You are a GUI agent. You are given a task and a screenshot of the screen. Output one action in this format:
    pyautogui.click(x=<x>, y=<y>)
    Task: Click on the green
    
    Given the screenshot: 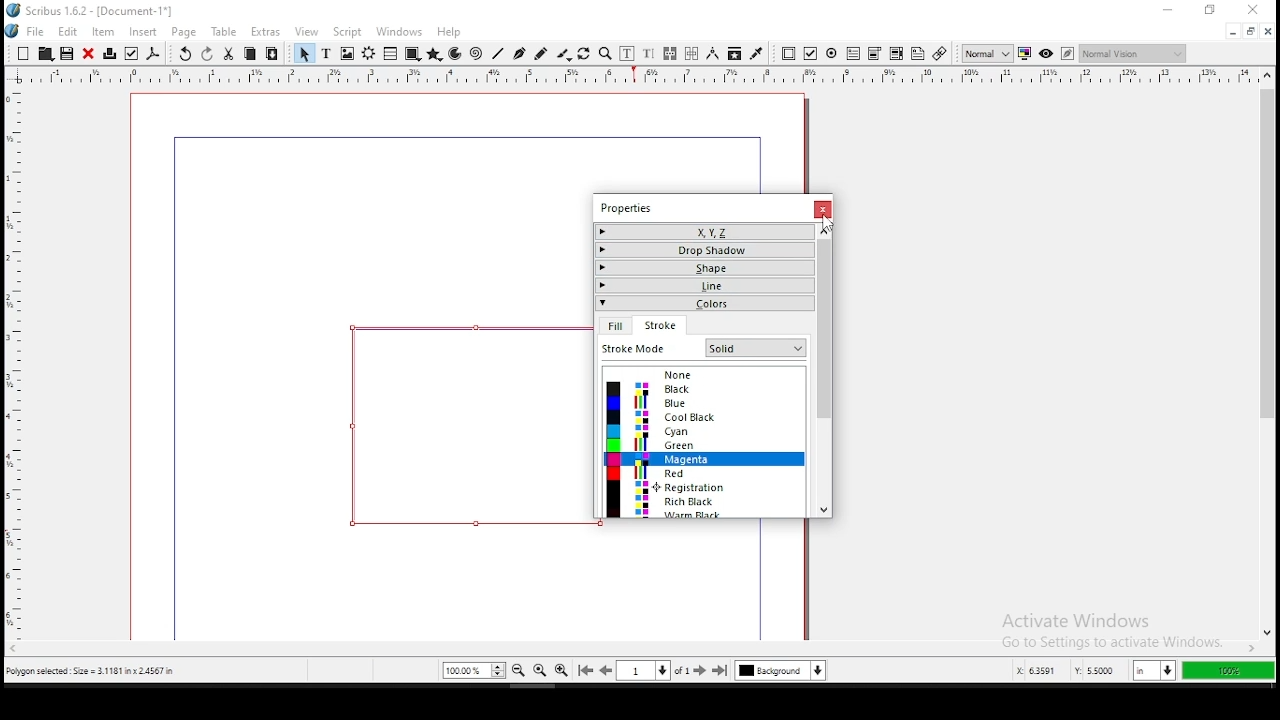 What is the action you would take?
    pyautogui.click(x=699, y=445)
    